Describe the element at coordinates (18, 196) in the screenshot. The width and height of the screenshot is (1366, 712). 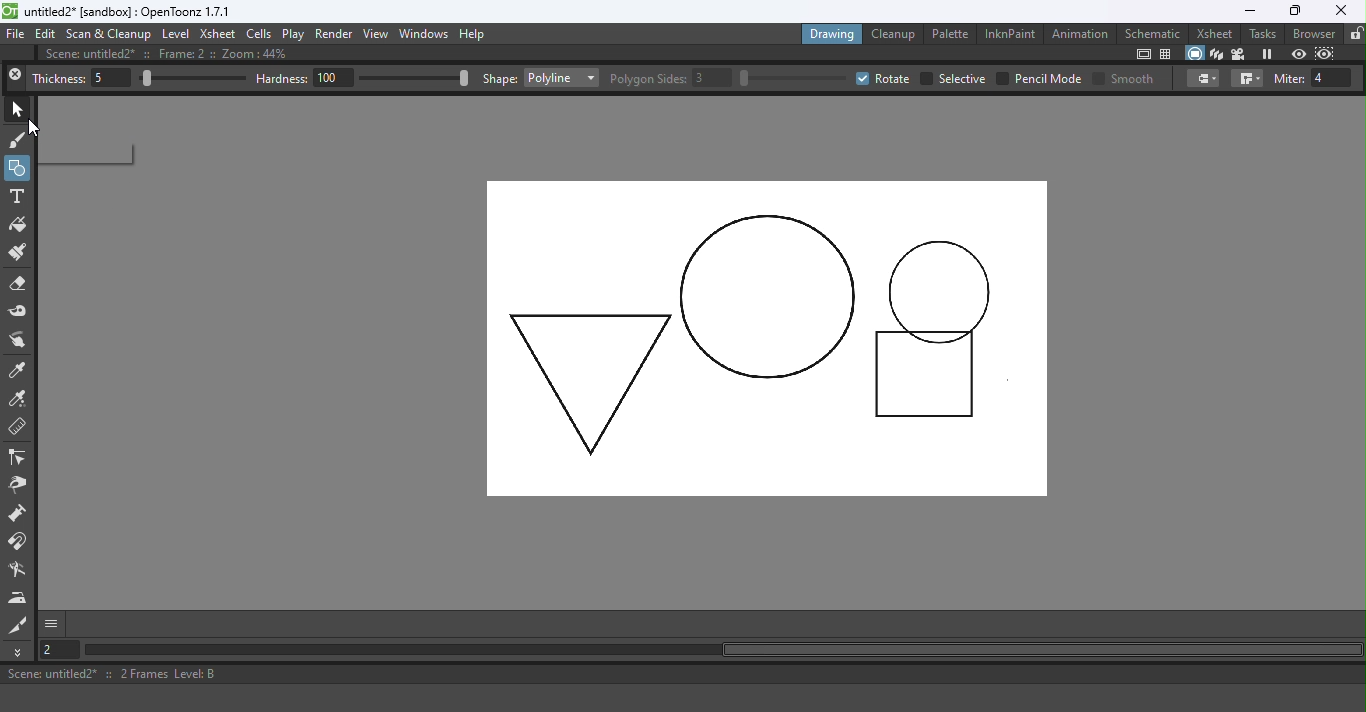
I see `Type tool` at that location.